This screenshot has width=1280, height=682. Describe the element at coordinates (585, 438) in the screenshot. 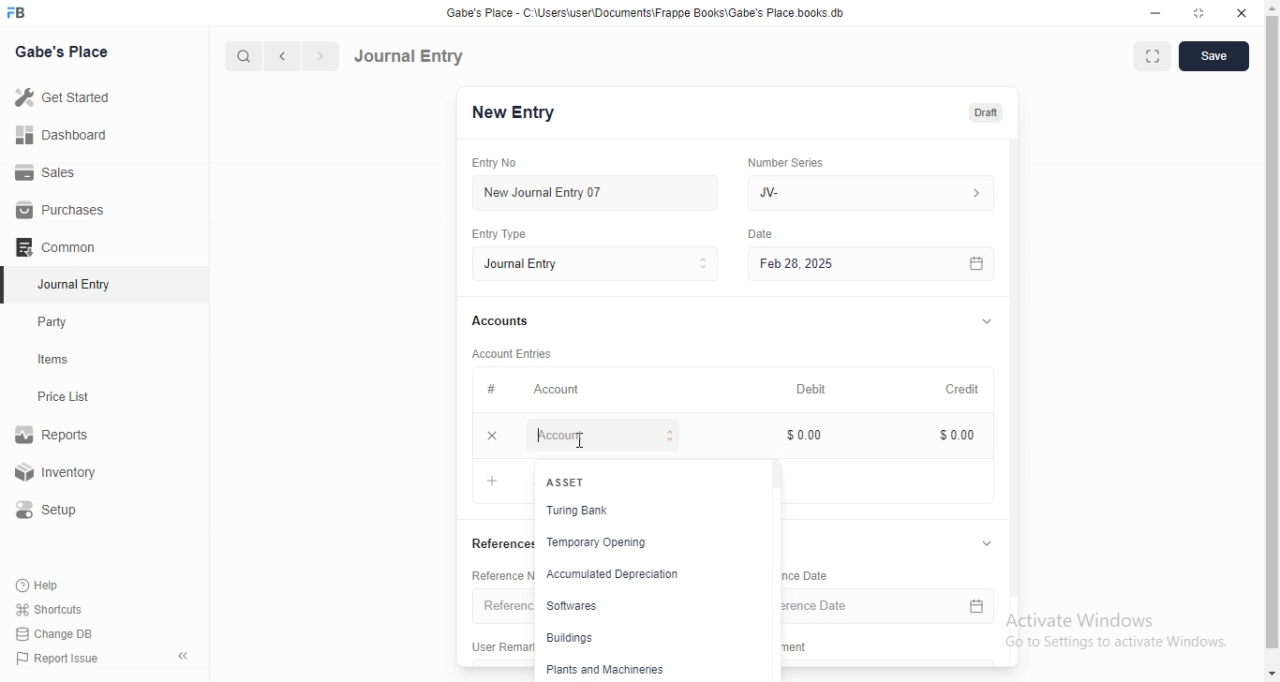

I see `x Account` at that location.